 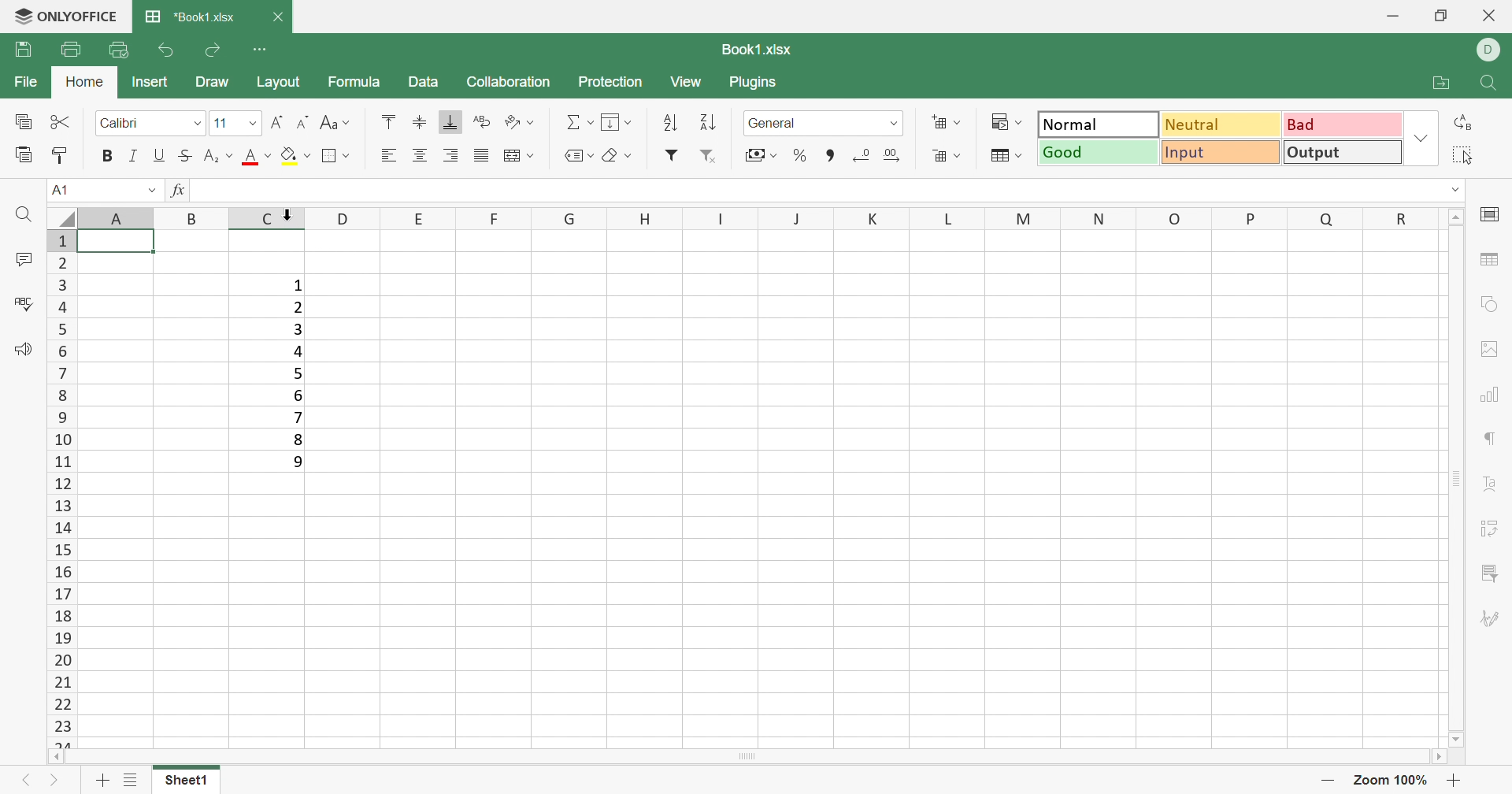 What do you see at coordinates (28, 82) in the screenshot?
I see `File` at bounding box center [28, 82].